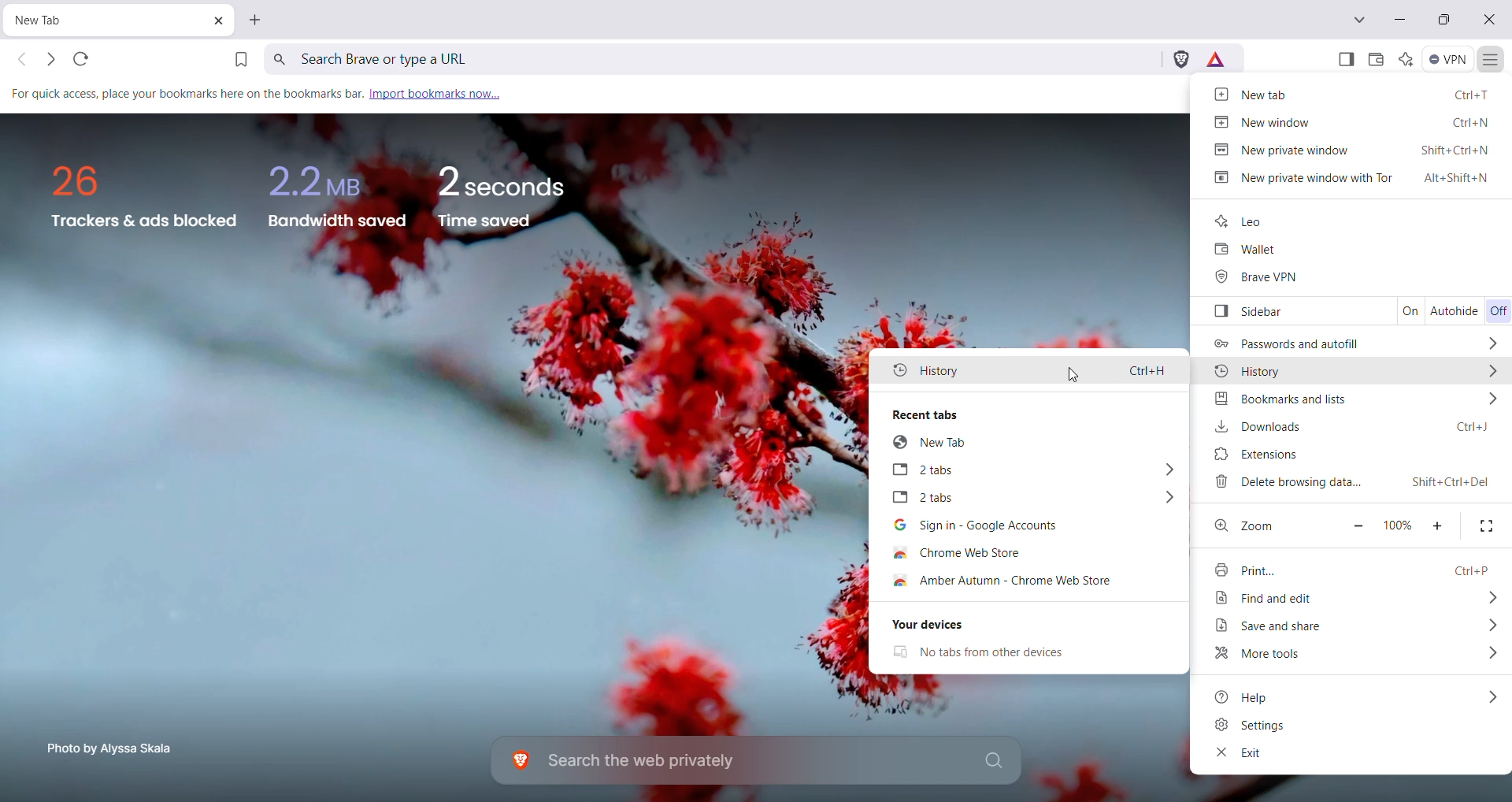  What do you see at coordinates (1243, 221) in the screenshot?
I see `Leo` at bounding box center [1243, 221].